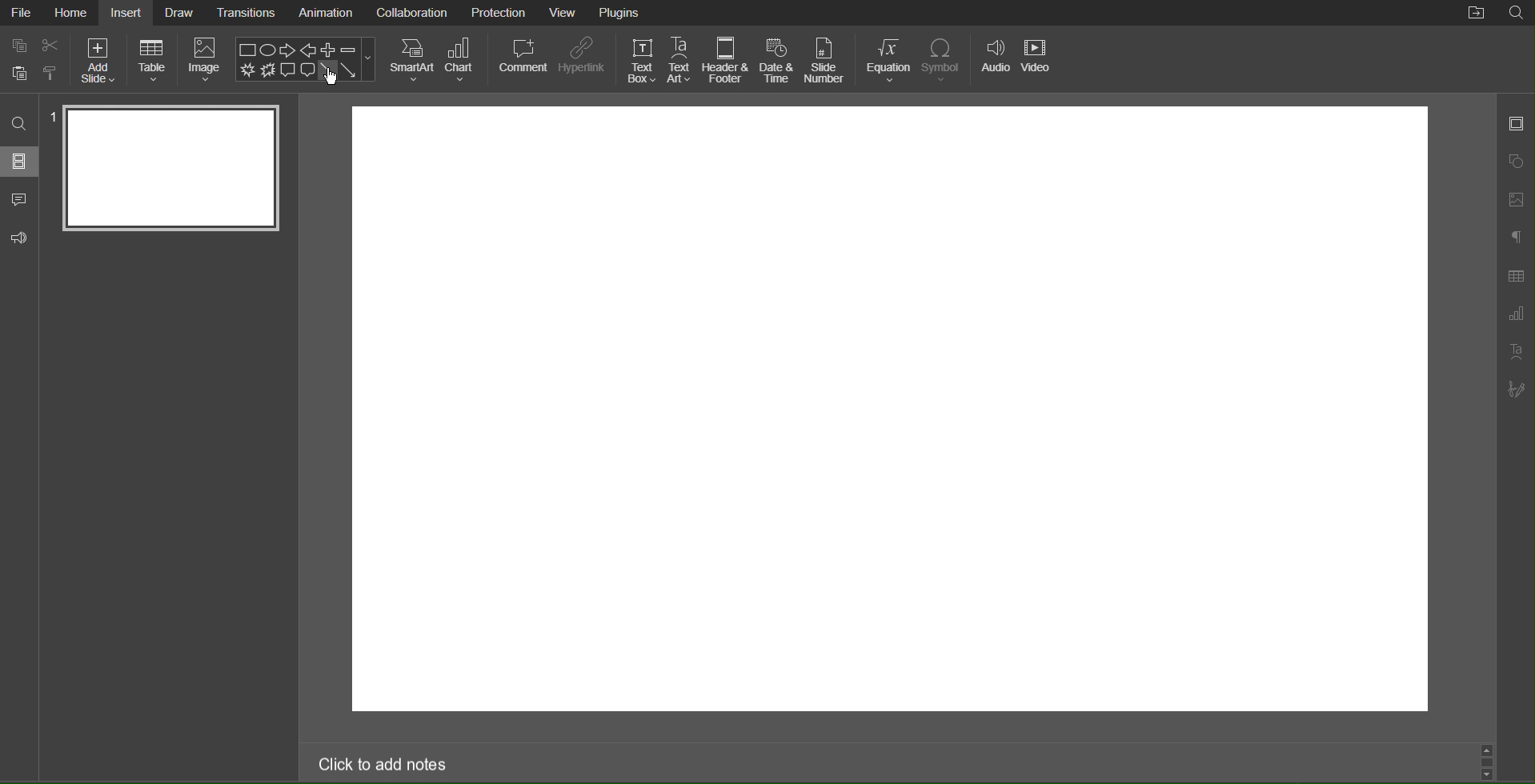  I want to click on Animation, so click(324, 14).